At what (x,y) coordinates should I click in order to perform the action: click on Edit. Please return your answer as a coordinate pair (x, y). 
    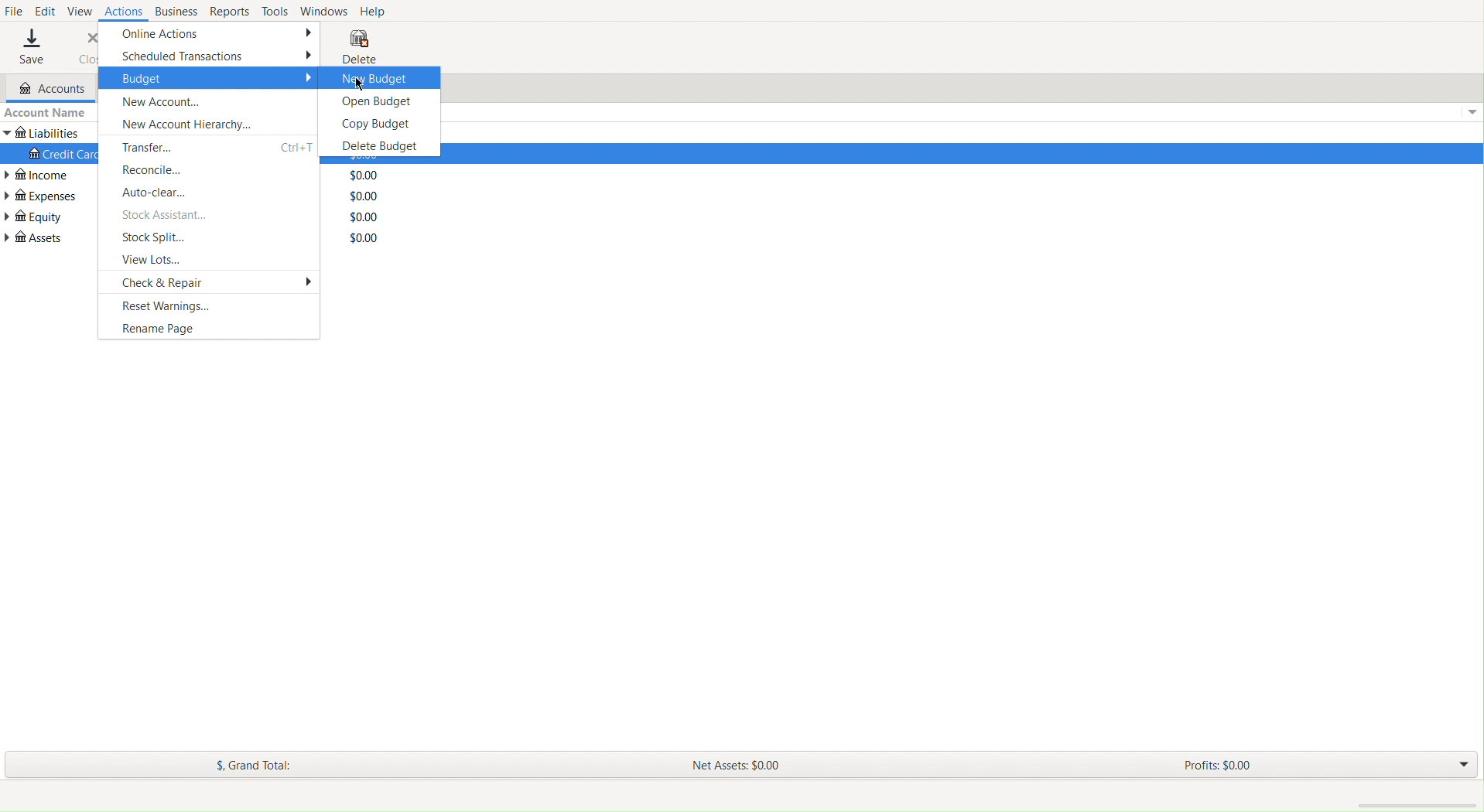
    Looking at the image, I should click on (46, 11).